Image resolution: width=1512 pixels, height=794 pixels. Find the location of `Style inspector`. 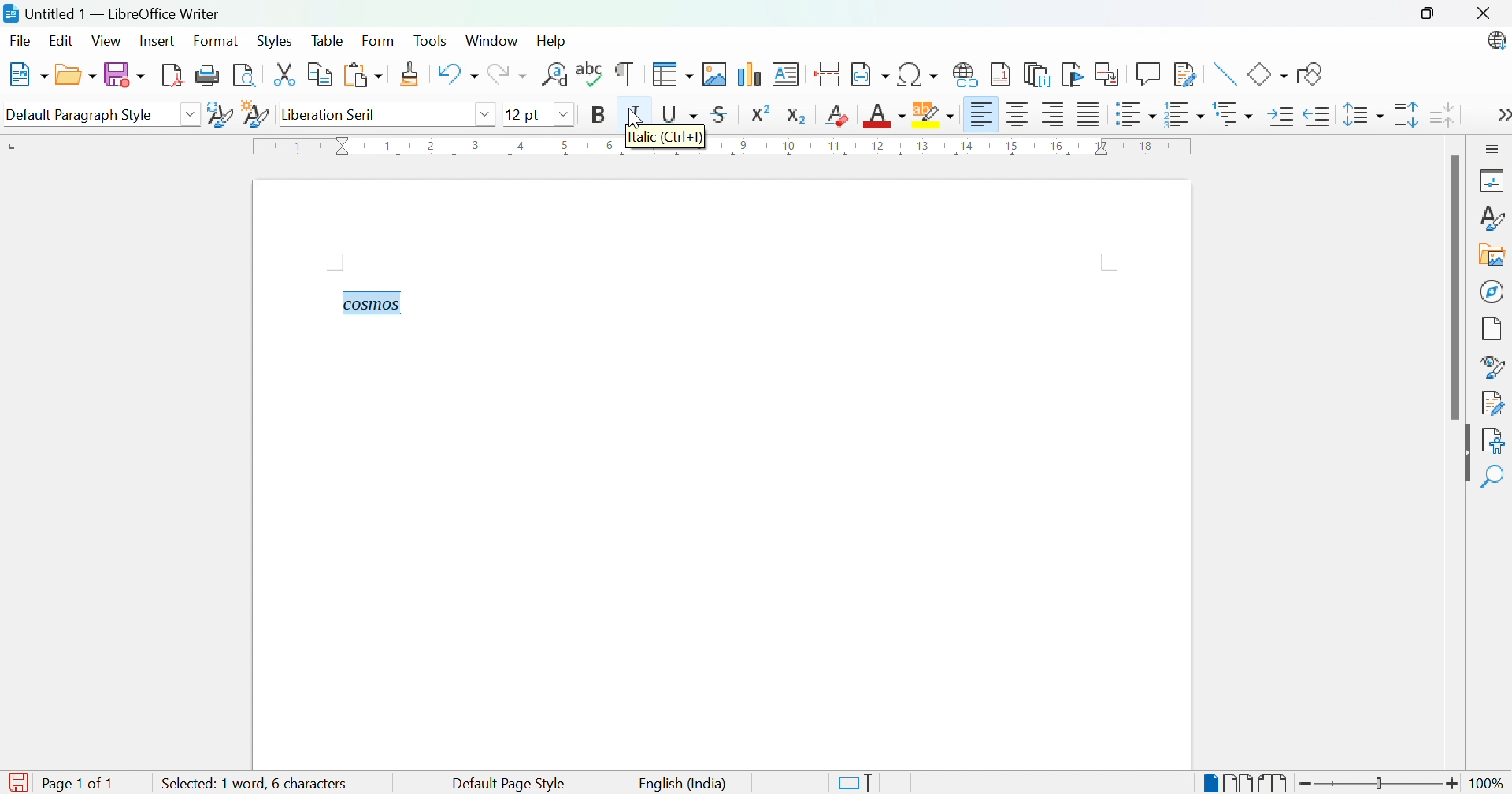

Style inspector is located at coordinates (1489, 368).